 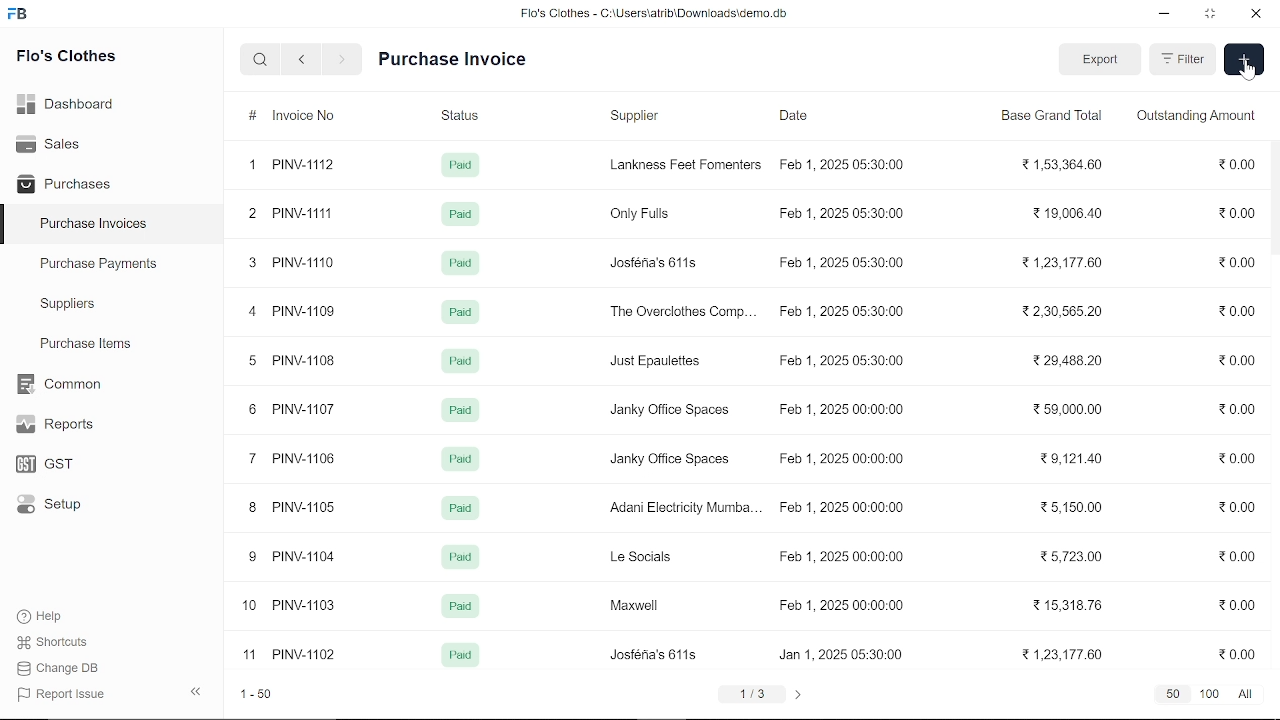 I want to click on Base Grand Total, so click(x=1047, y=117).